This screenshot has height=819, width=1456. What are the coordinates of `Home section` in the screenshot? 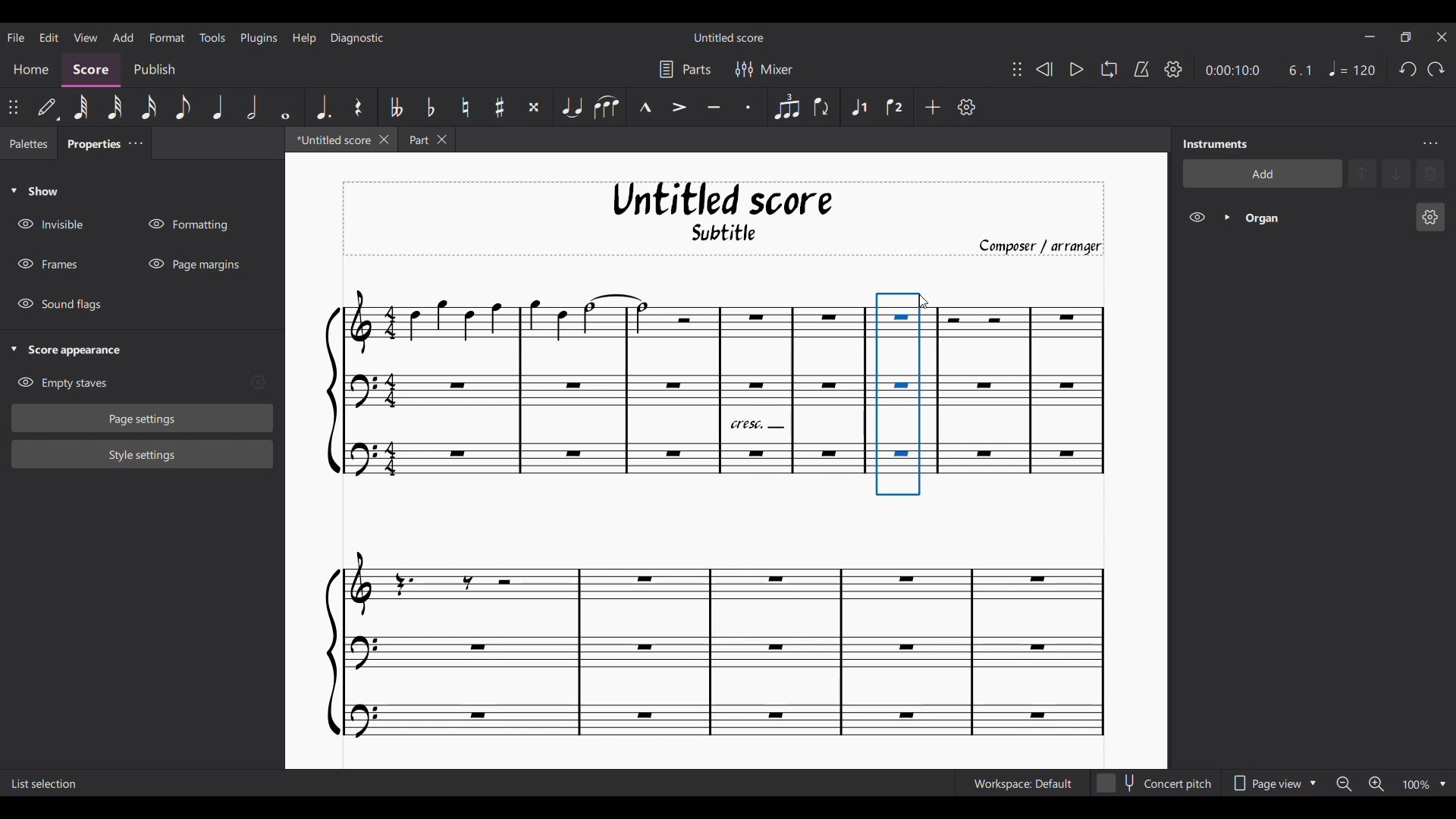 It's located at (30, 71).